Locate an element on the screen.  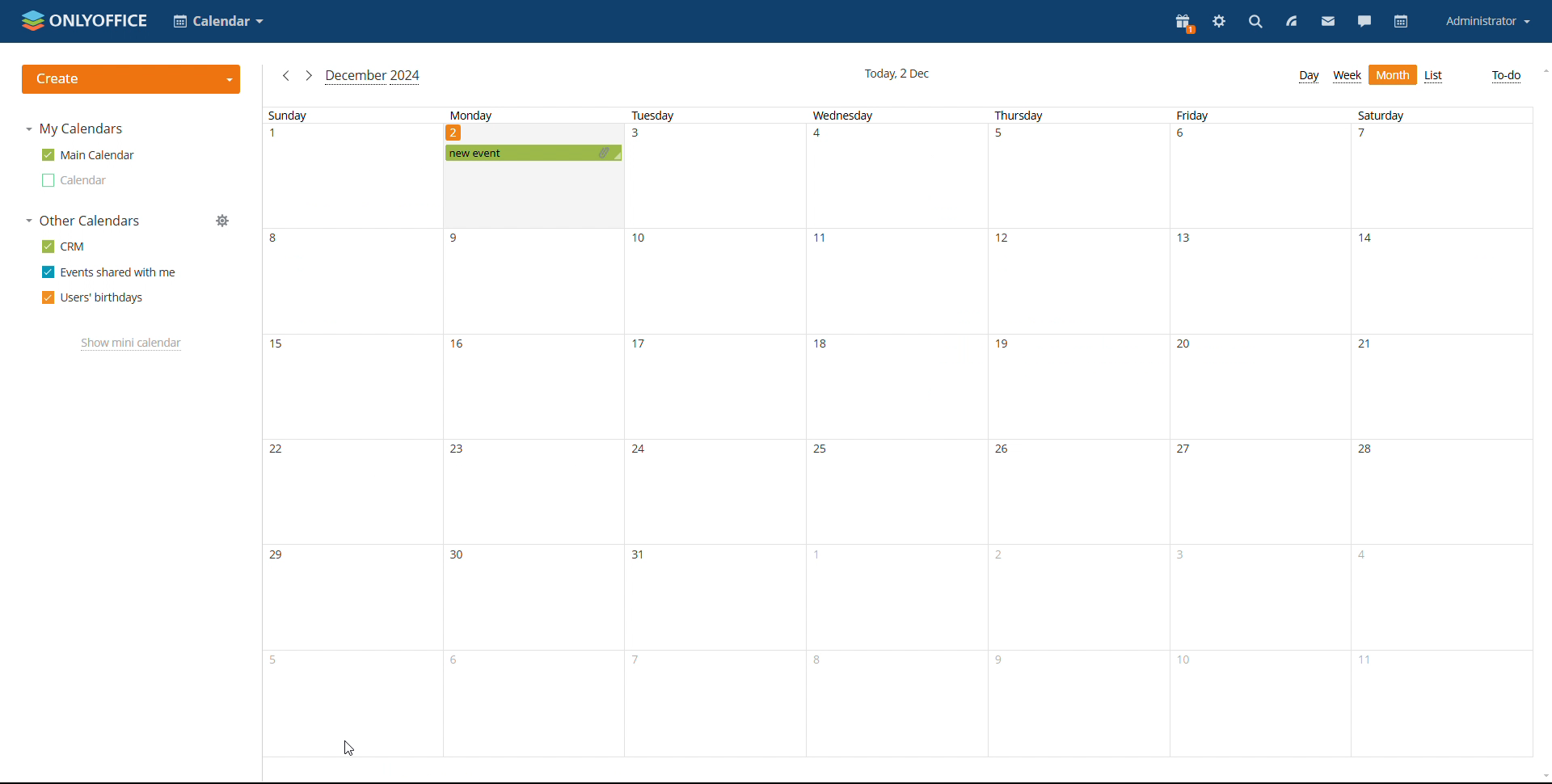
attachment added is located at coordinates (605, 153).